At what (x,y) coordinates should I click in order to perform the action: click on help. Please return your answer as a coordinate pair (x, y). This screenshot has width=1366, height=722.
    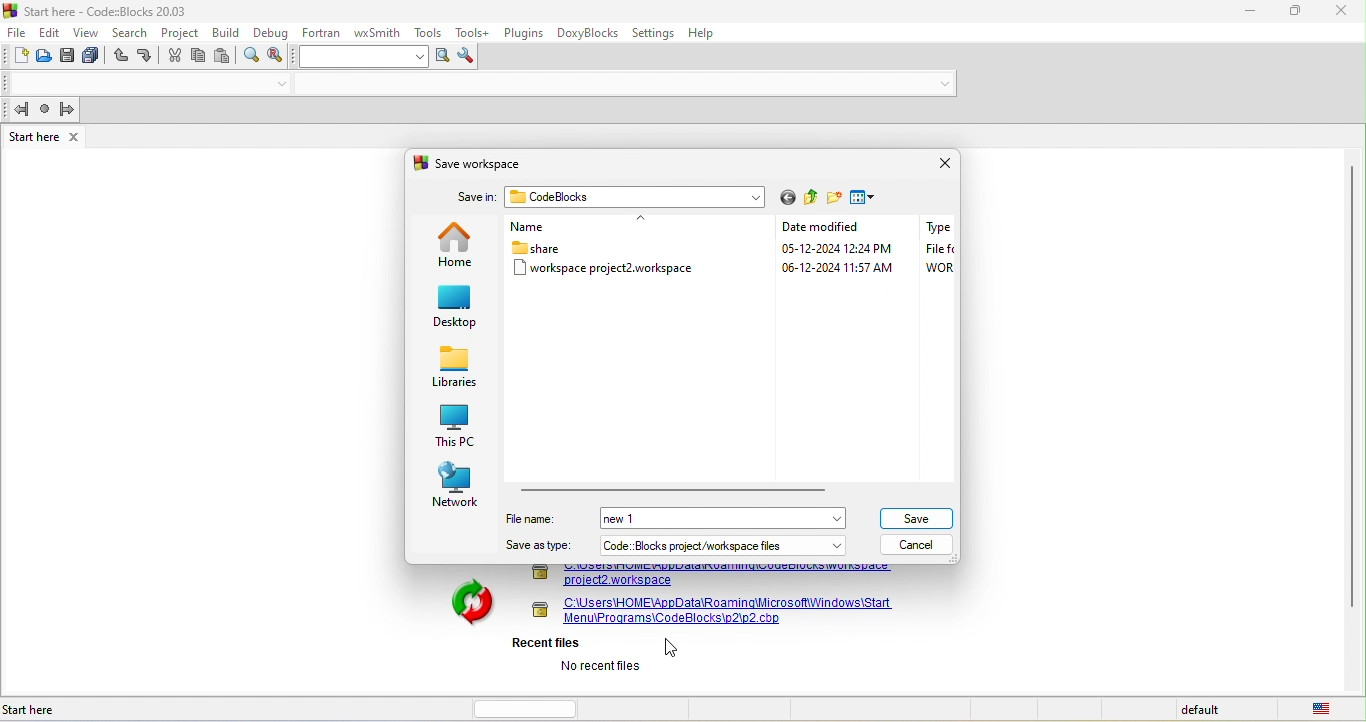
    Looking at the image, I should click on (710, 33).